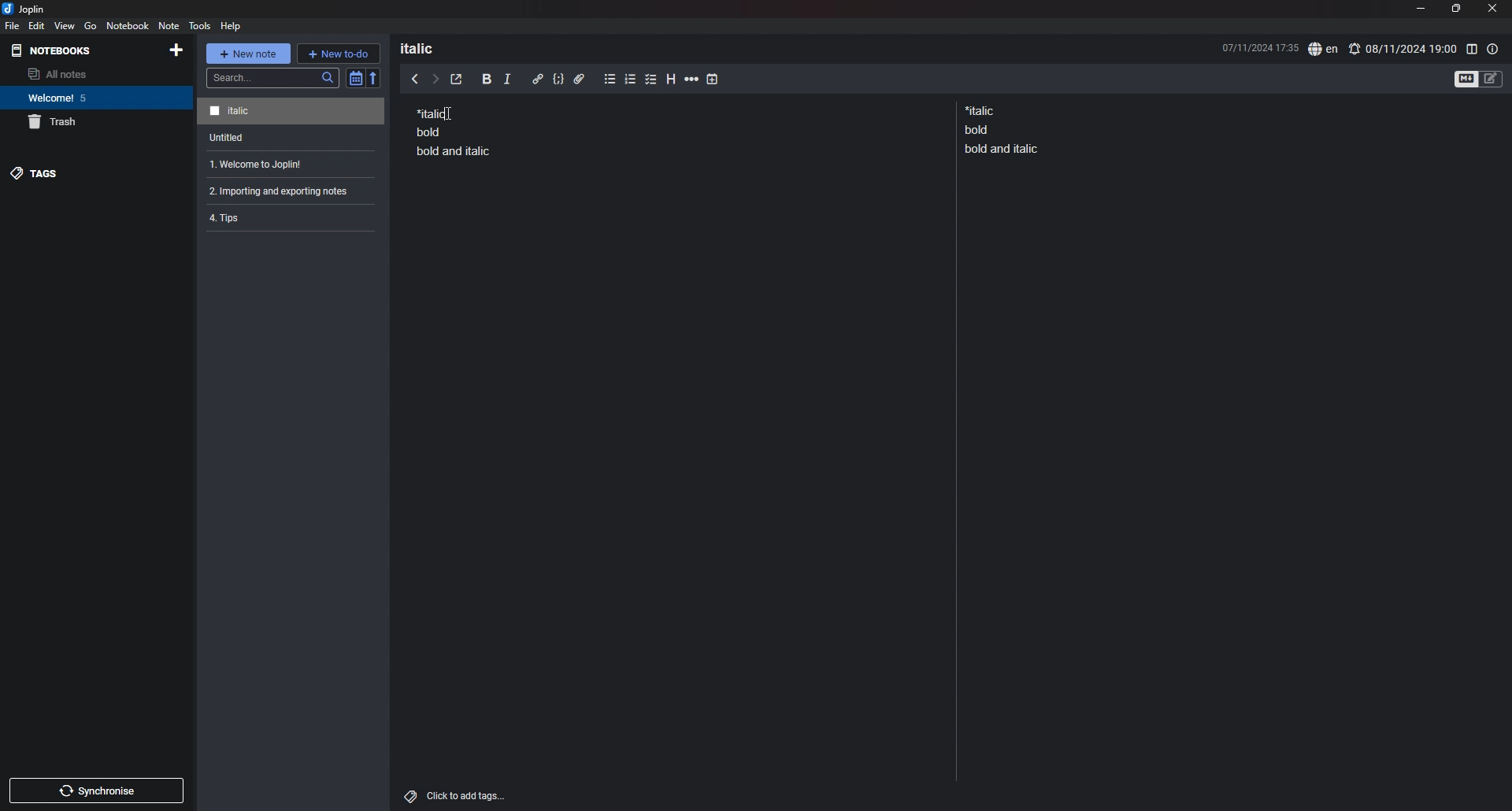  What do you see at coordinates (1494, 8) in the screenshot?
I see `close` at bounding box center [1494, 8].